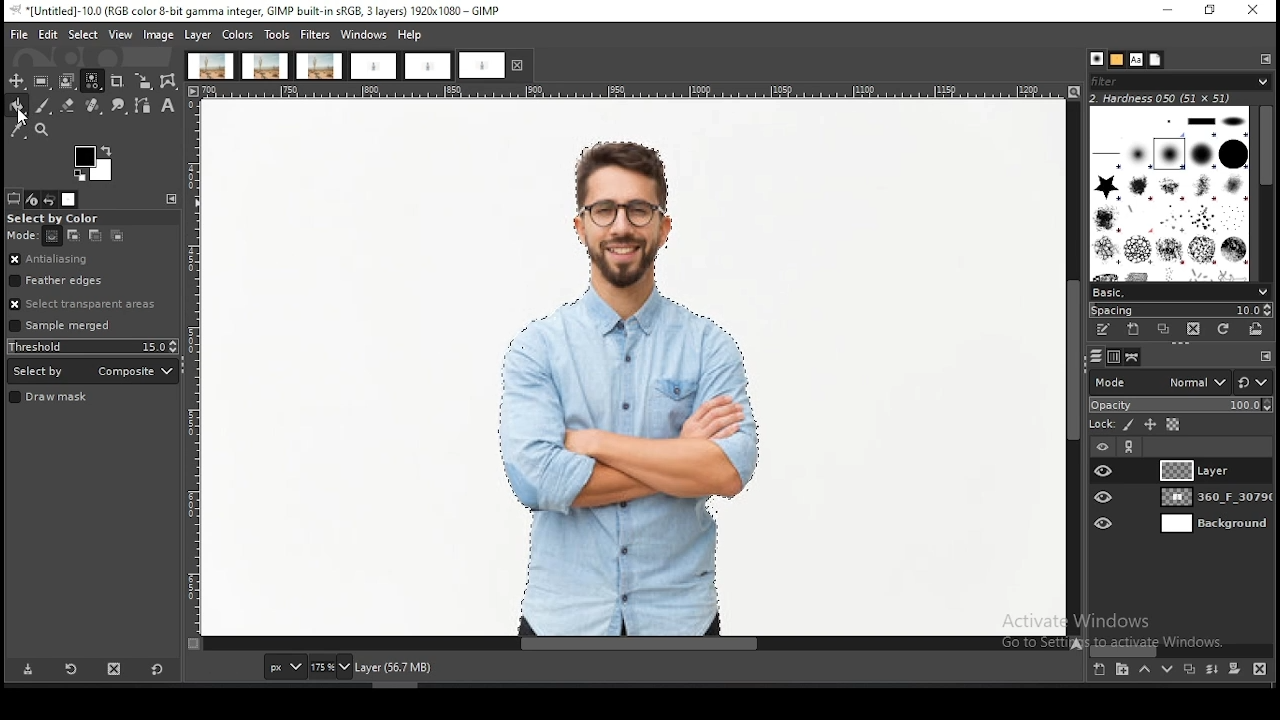 This screenshot has width=1280, height=720. What do you see at coordinates (1173, 425) in the screenshot?
I see `lock alpha channel` at bounding box center [1173, 425].